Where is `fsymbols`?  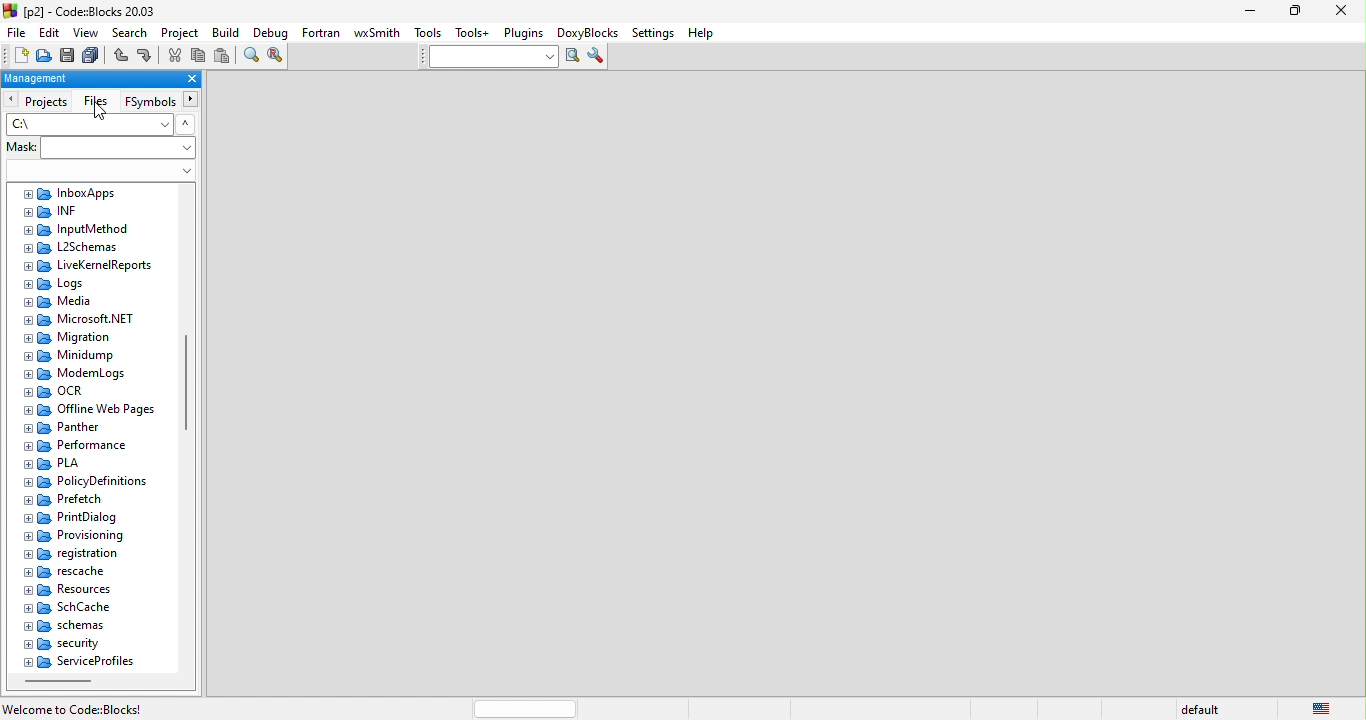
fsymbols is located at coordinates (161, 100).